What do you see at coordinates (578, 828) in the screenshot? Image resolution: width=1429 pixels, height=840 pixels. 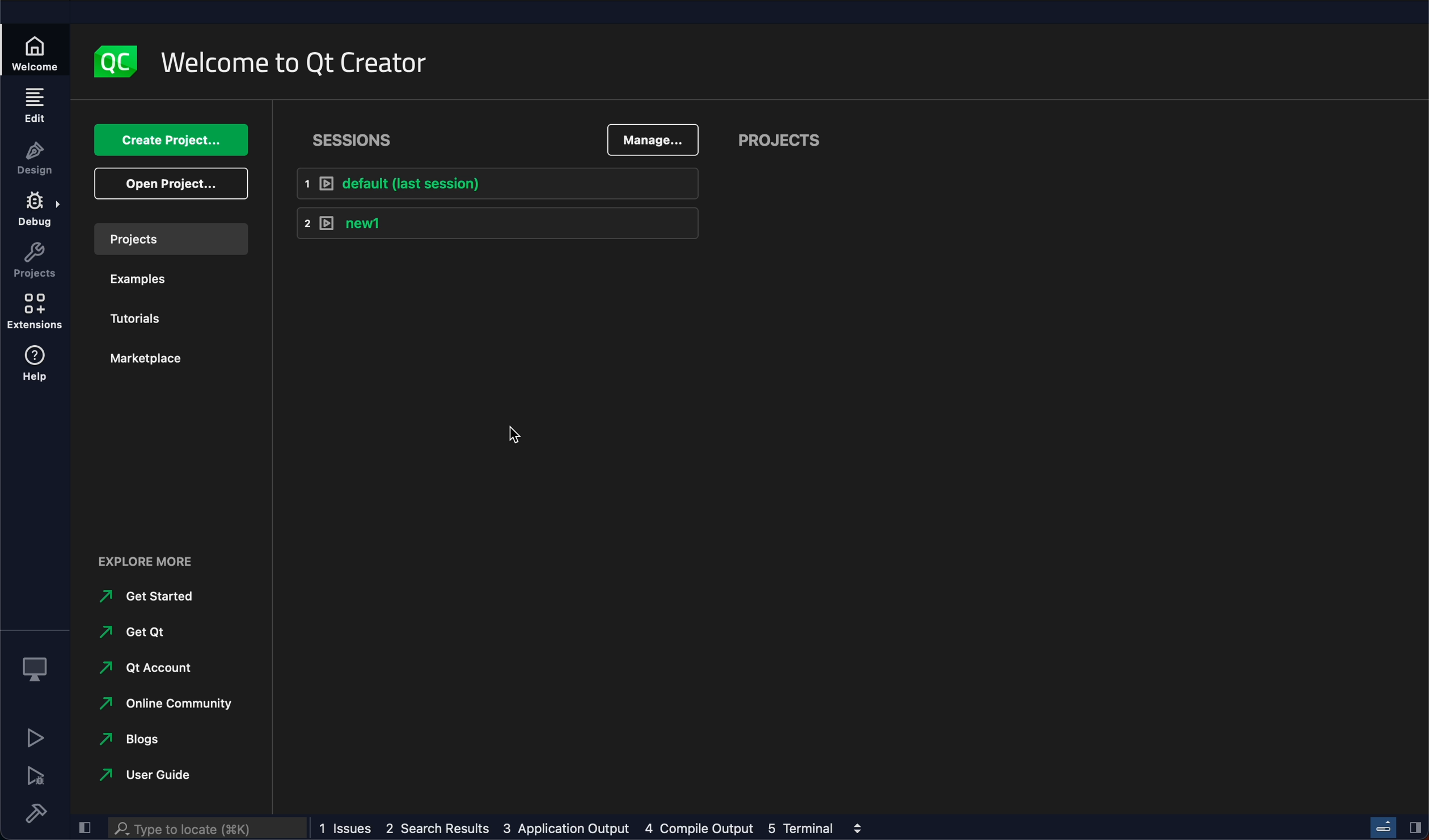 I see `logs` at bounding box center [578, 828].